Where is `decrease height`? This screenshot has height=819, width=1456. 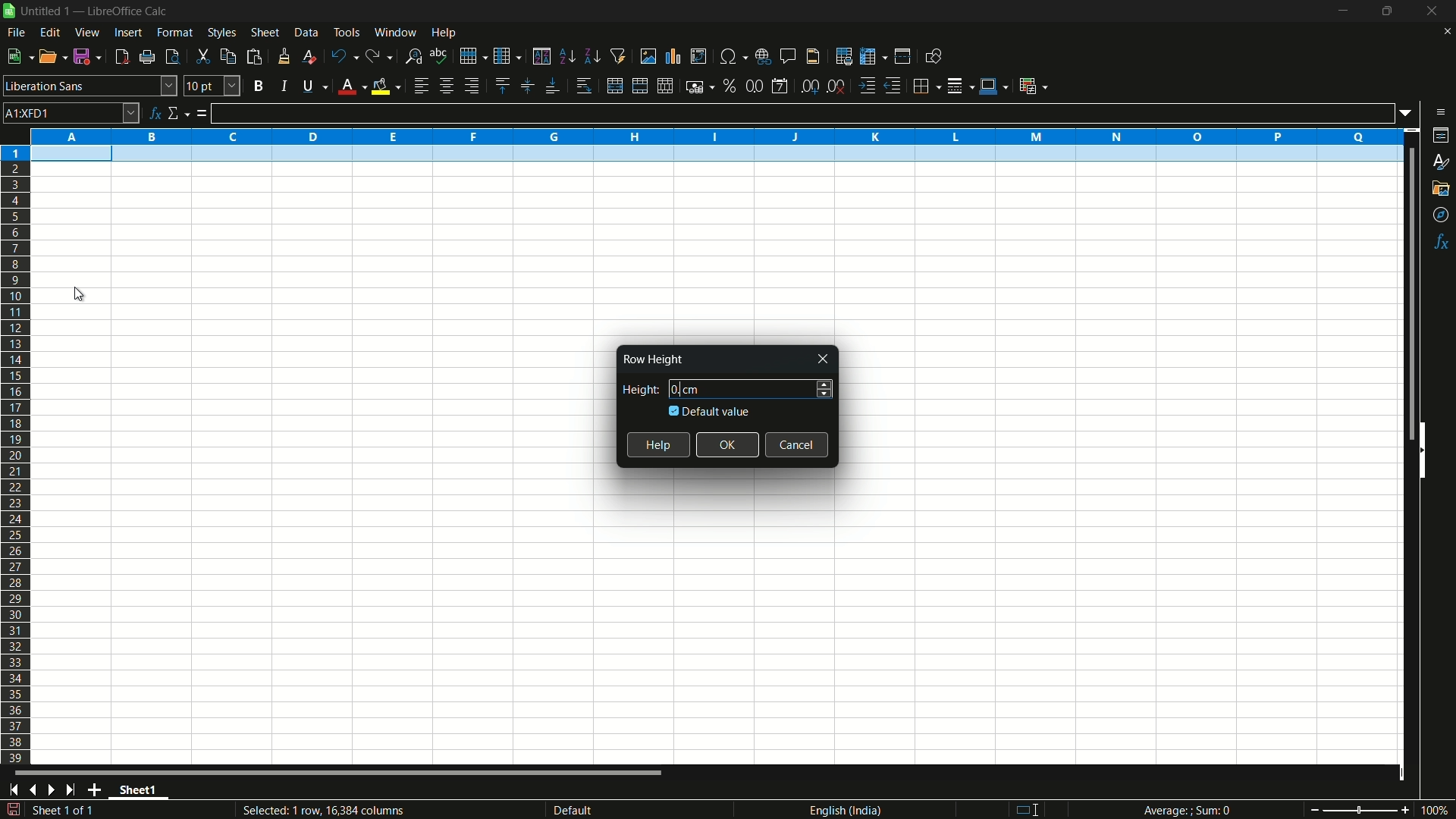
decrease height is located at coordinates (824, 395).